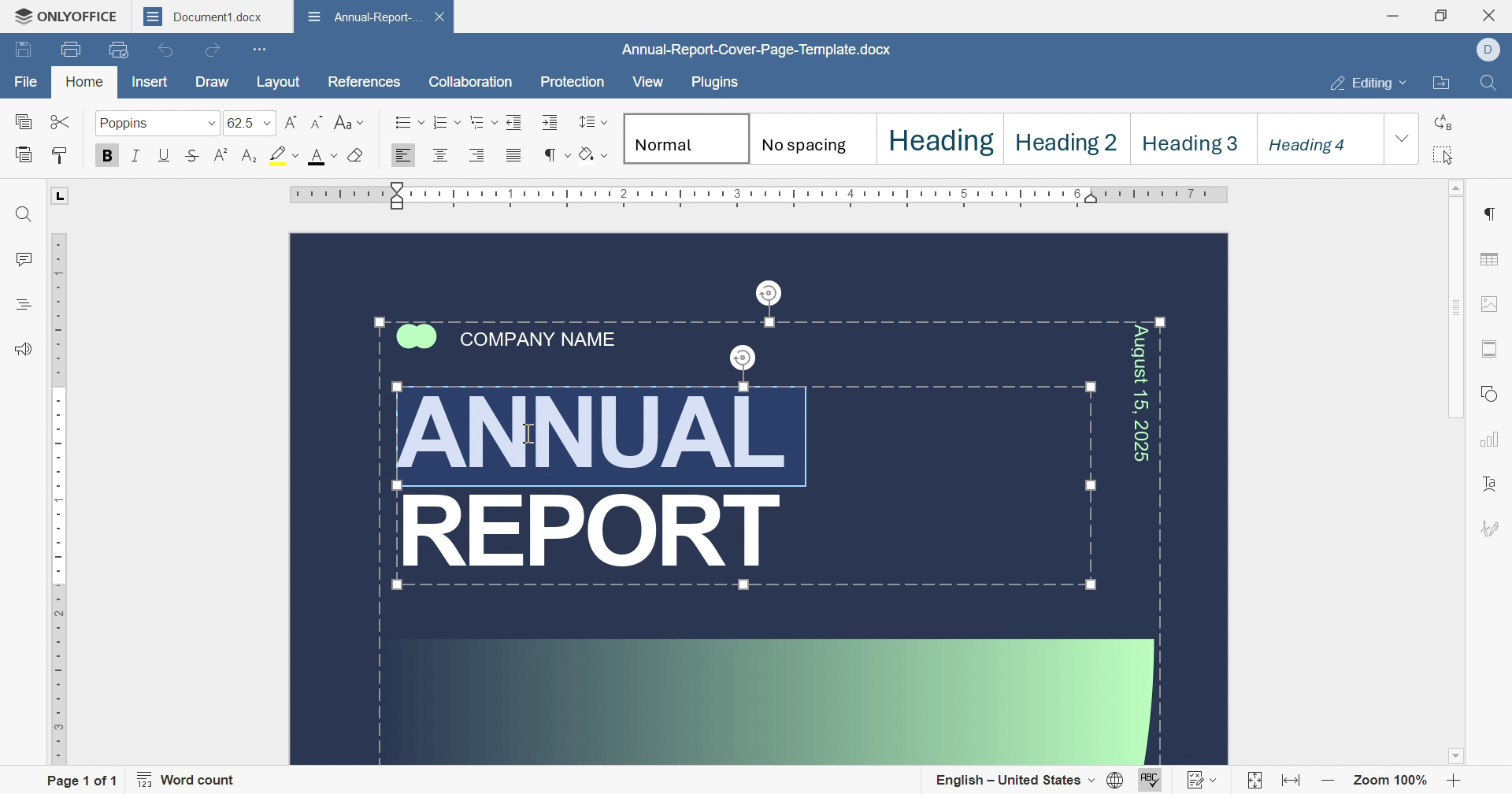 The width and height of the screenshot is (1512, 794). Describe the element at coordinates (1492, 440) in the screenshot. I see `chart settings` at that location.